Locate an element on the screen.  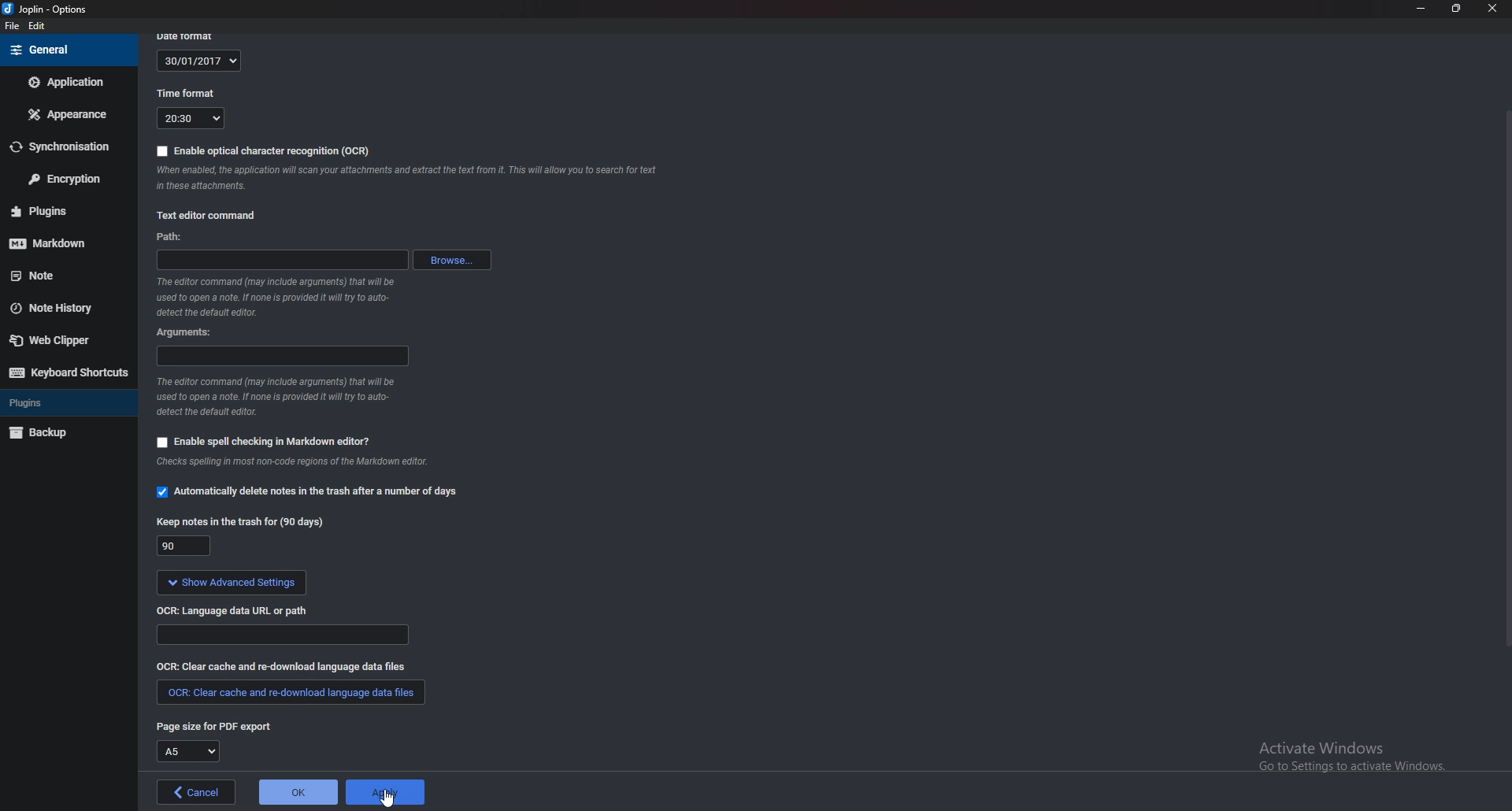
ok is located at coordinates (298, 793).